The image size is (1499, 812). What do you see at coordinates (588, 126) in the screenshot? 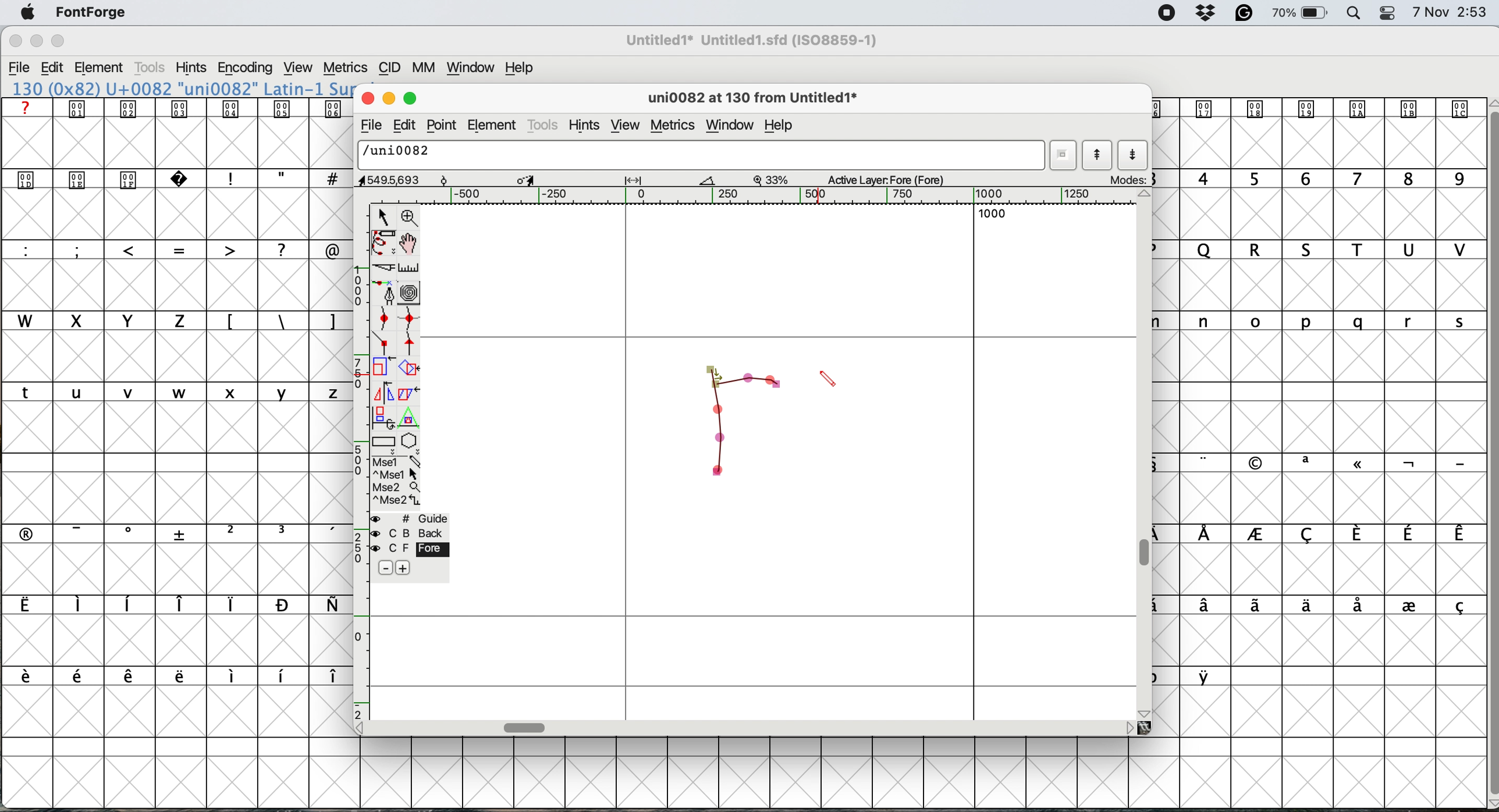
I see `hints` at bounding box center [588, 126].